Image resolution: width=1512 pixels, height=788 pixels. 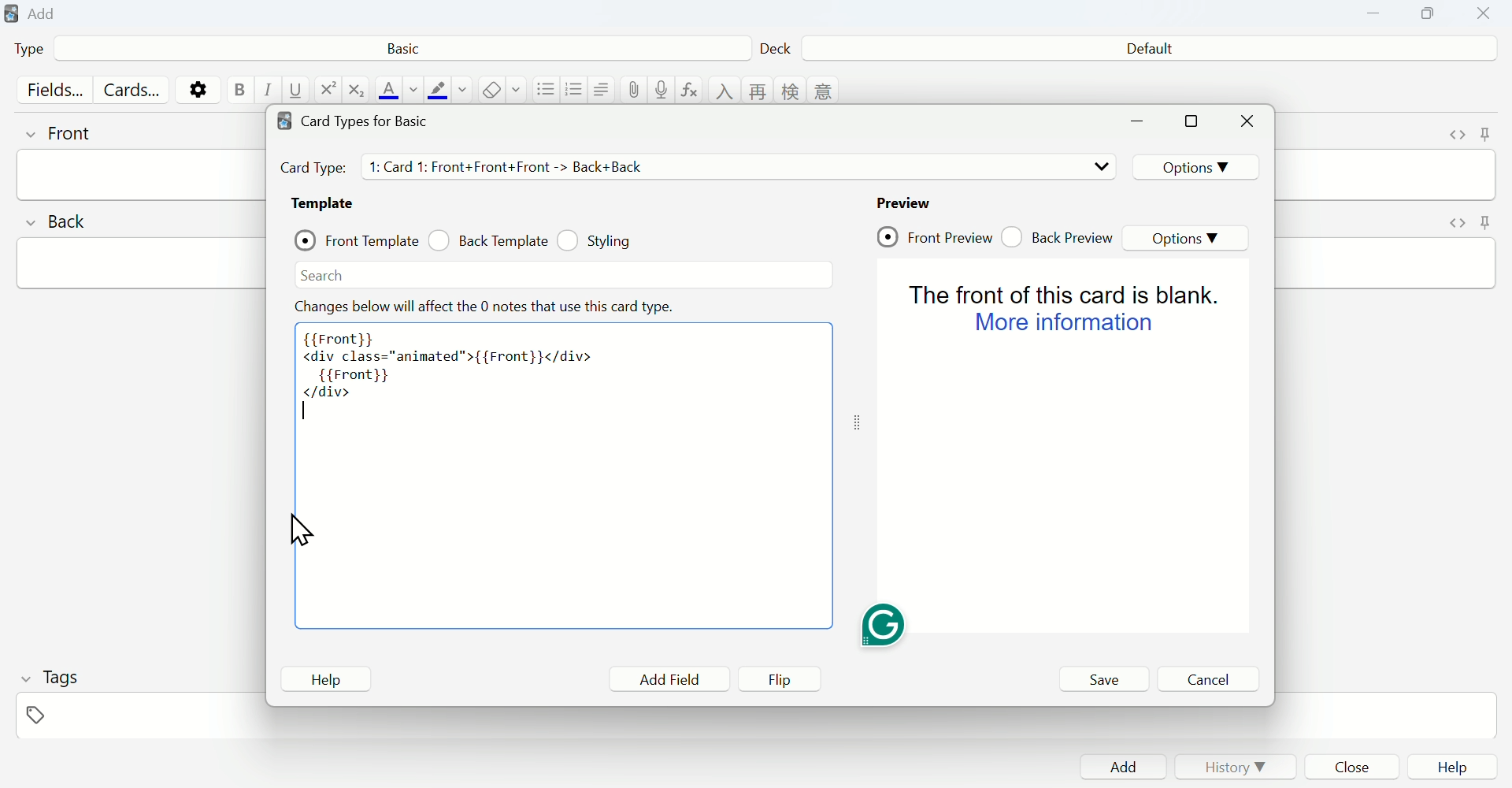 What do you see at coordinates (56, 52) in the screenshot?
I see `Type` at bounding box center [56, 52].